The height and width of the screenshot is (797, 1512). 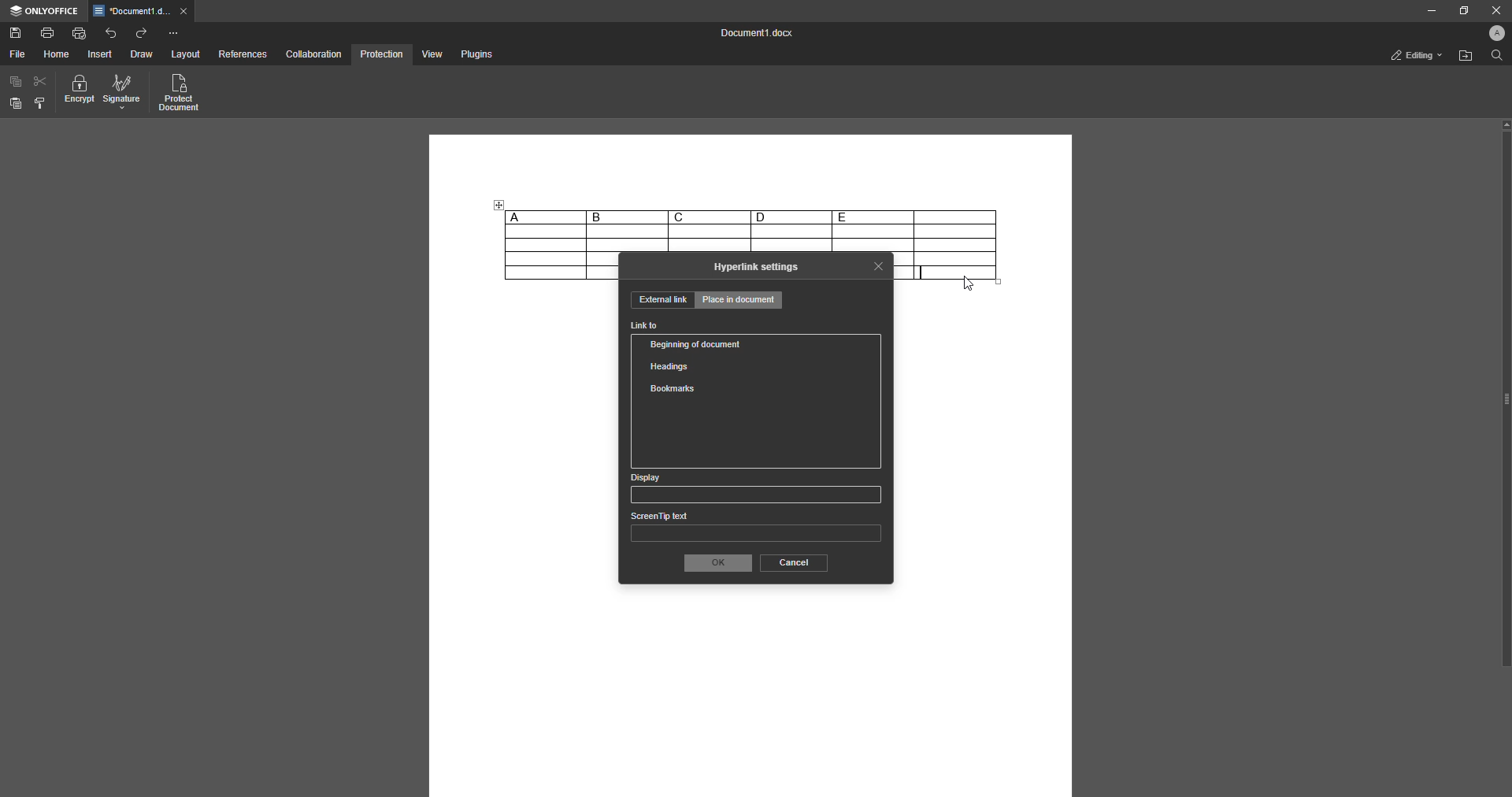 What do you see at coordinates (16, 34) in the screenshot?
I see `Save` at bounding box center [16, 34].